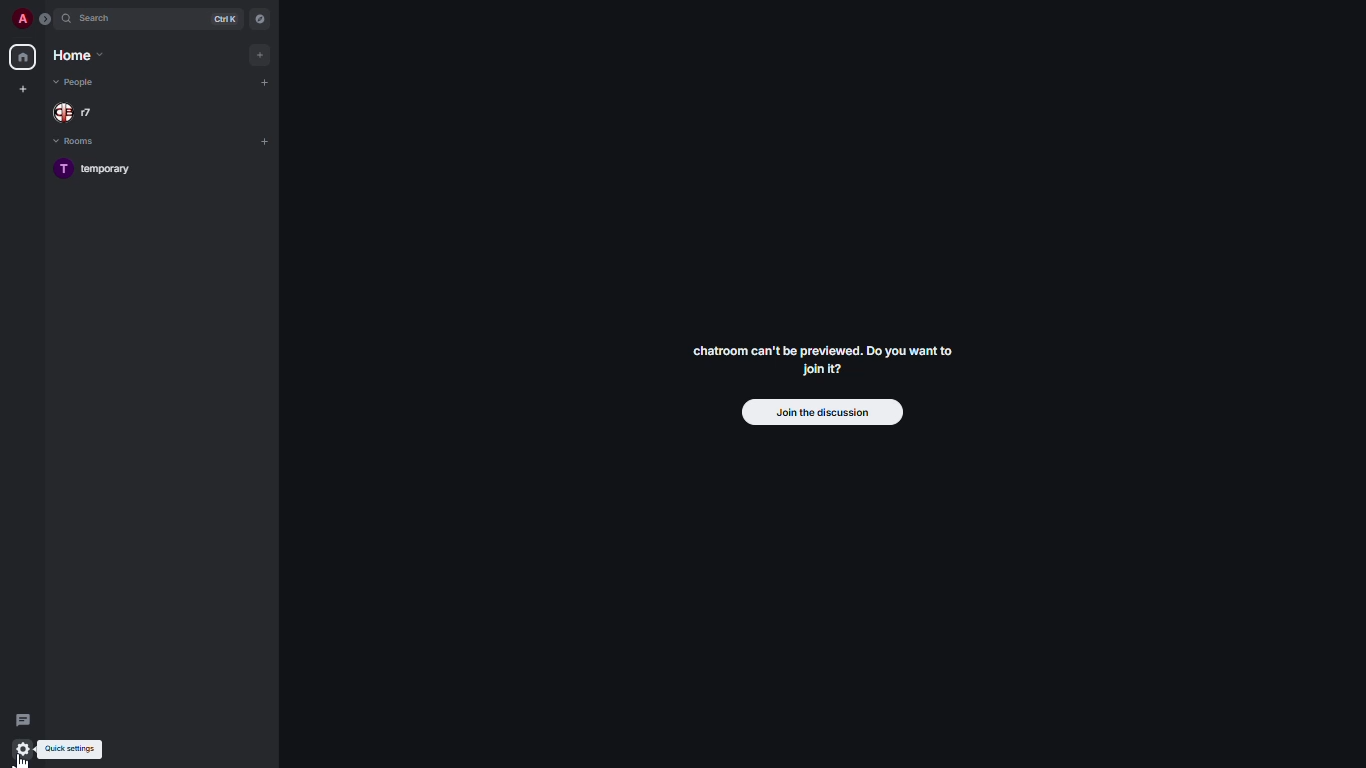 The height and width of the screenshot is (768, 1366). Describe the element at coordinates (261, 54) in the screenshot. I see `add` at that location.